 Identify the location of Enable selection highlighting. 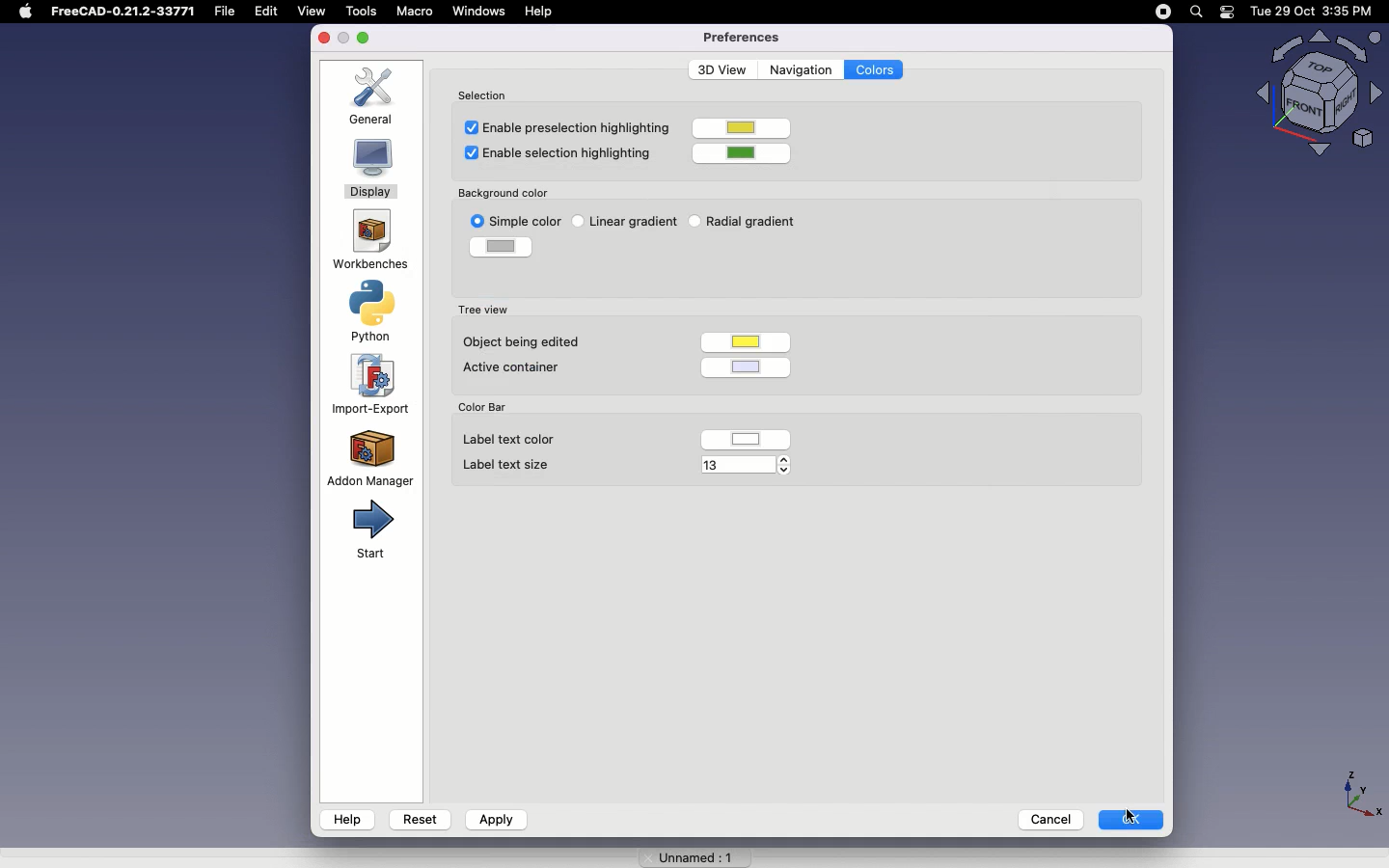
(561, 155).